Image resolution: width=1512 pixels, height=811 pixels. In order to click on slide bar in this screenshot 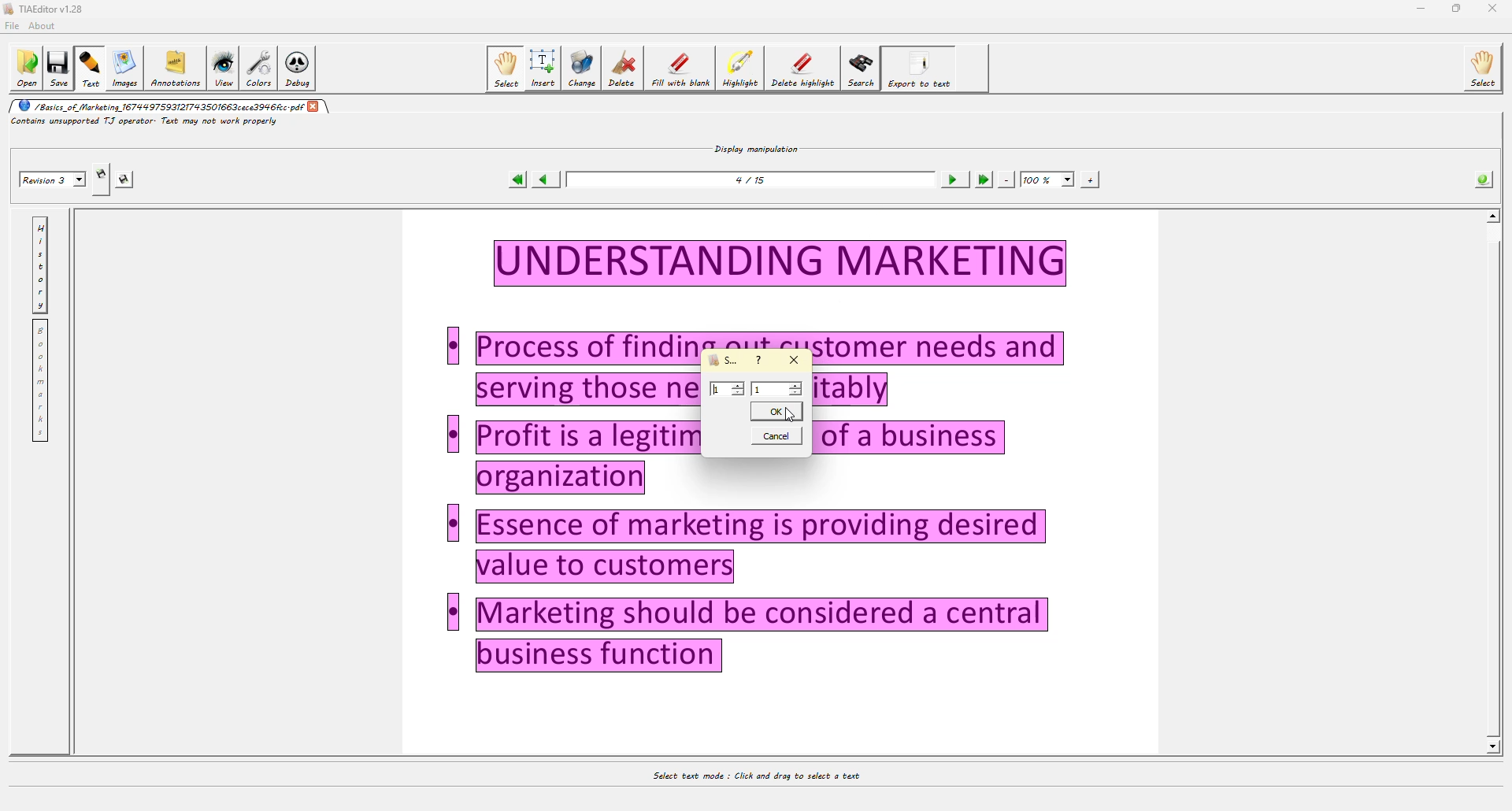, I will do `click(1498, 480)`.